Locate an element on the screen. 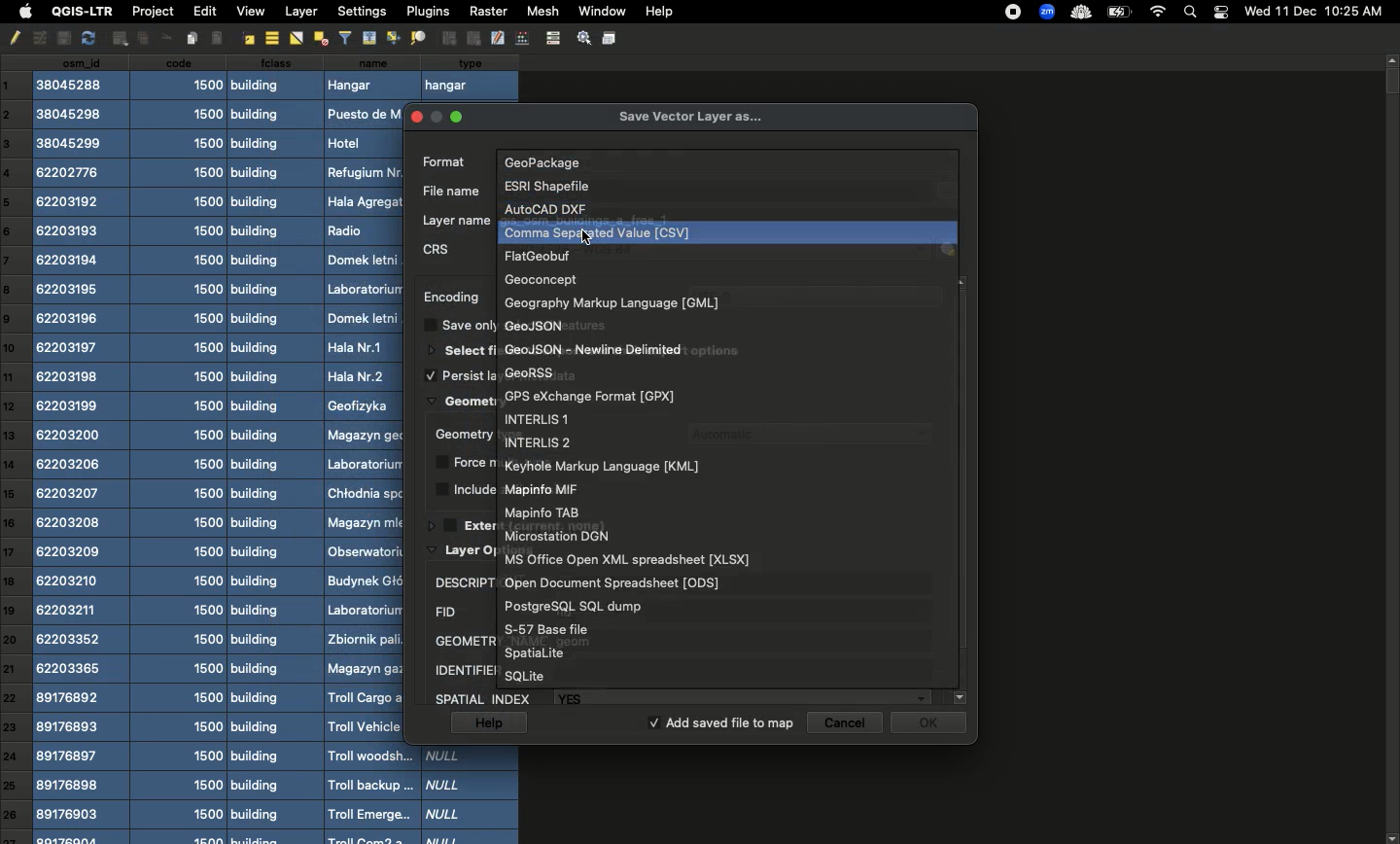 This screenshot has width=1400, height=844. Notification is located at coordinates (1220, 11).